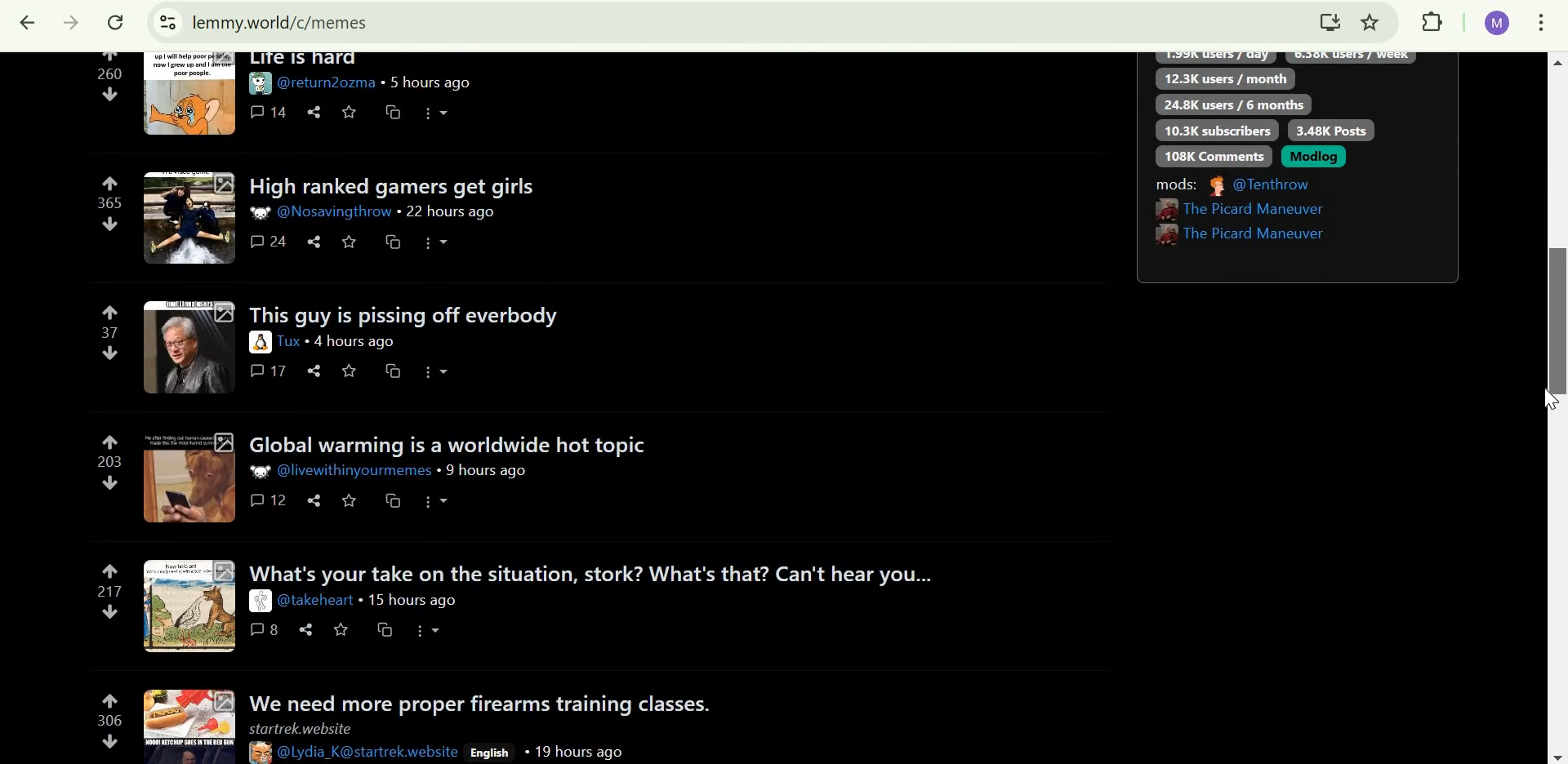 Image resolution: width=1568 pixels, height=764 pixels. Describe the element at coordinates (269, 500) in the screenshot. I see `12 comments` at that location.